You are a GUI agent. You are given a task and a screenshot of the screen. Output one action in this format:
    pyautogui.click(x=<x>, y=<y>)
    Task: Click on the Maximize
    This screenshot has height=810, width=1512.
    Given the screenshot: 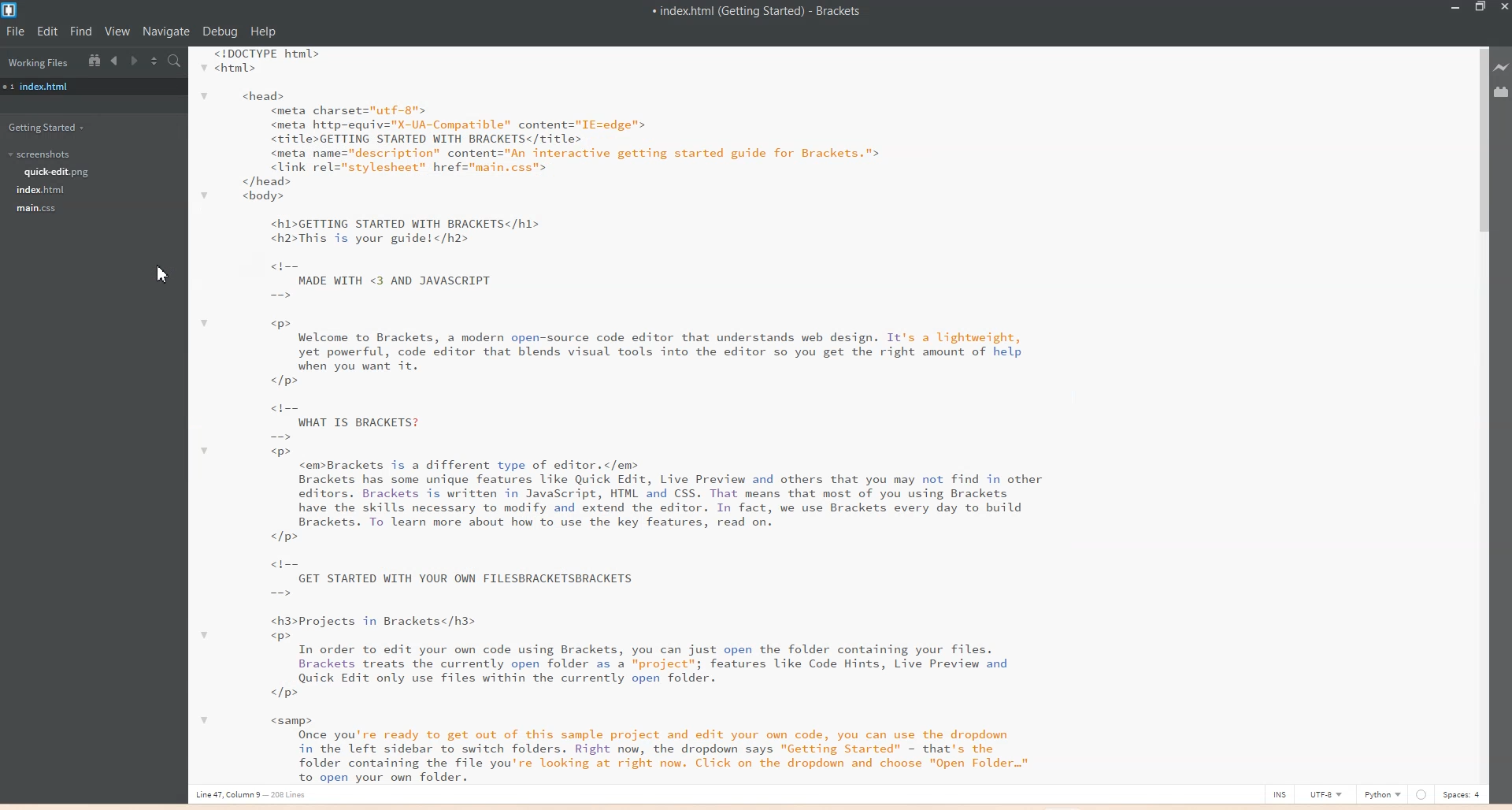 What is the action you would take?
    pyautogui.click(x=1480, y=9)
    